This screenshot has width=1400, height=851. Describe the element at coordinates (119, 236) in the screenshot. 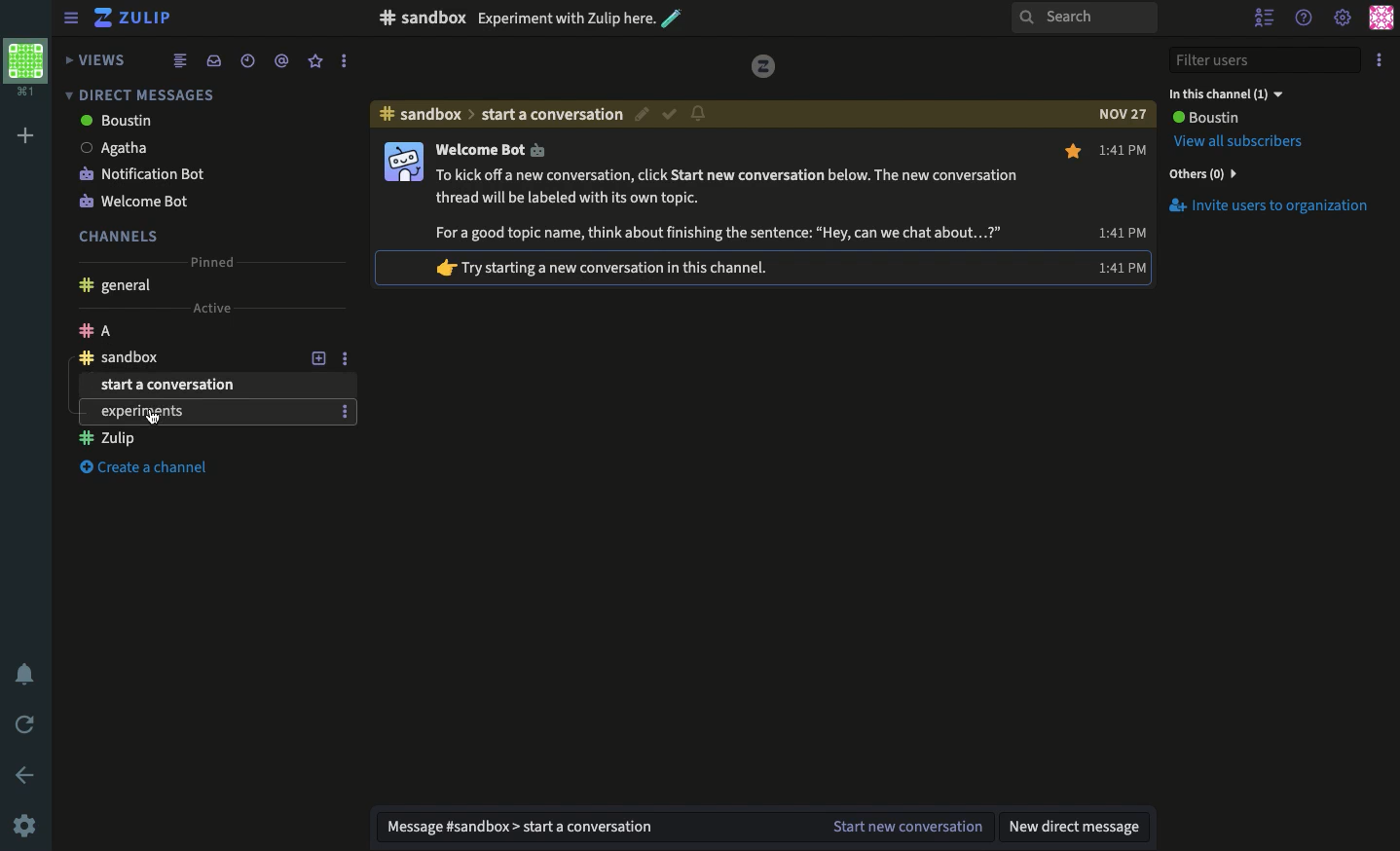

I see `Channels` at that location.